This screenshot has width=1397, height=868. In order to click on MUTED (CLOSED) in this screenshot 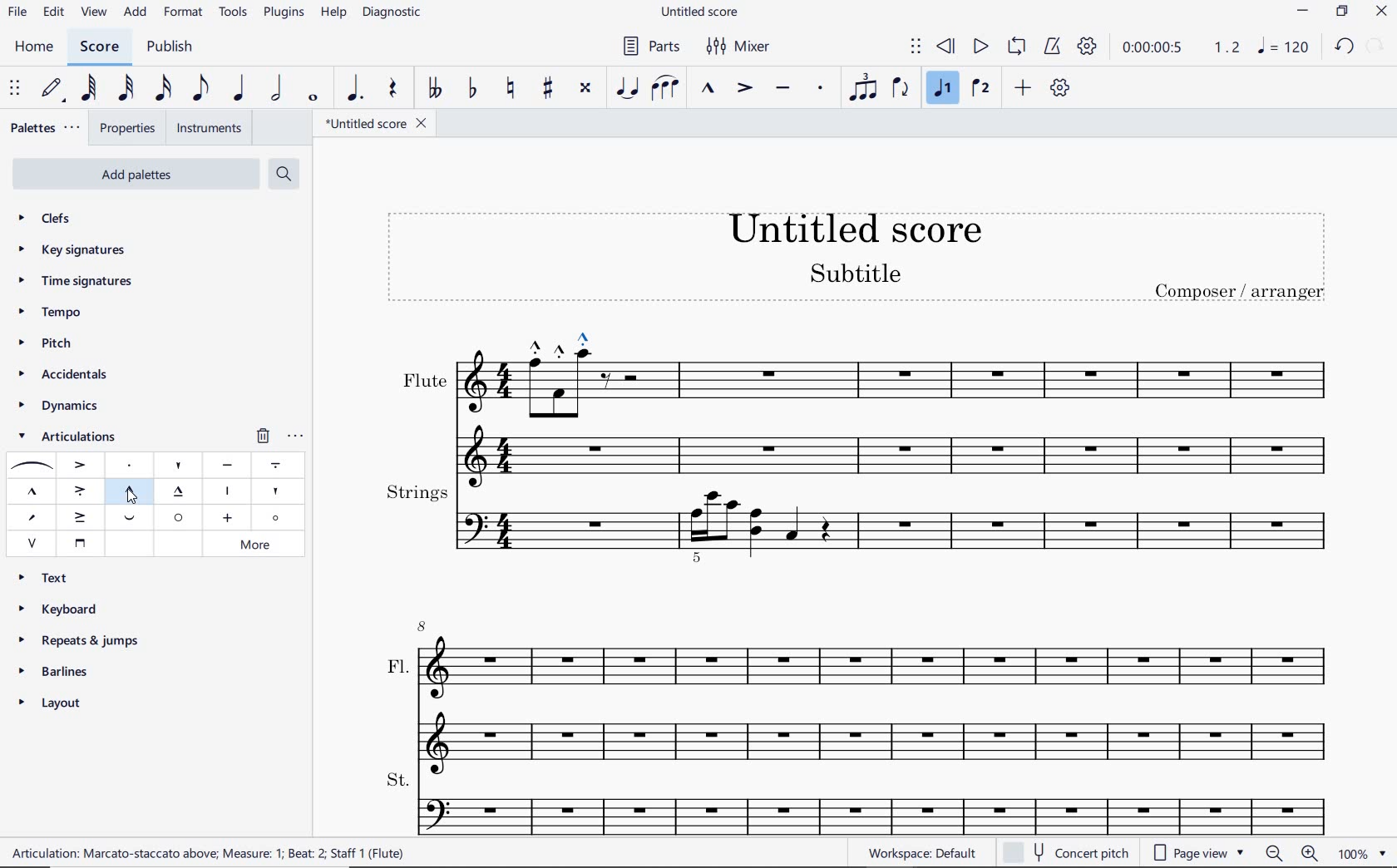, I will do `click(226, 518)`.